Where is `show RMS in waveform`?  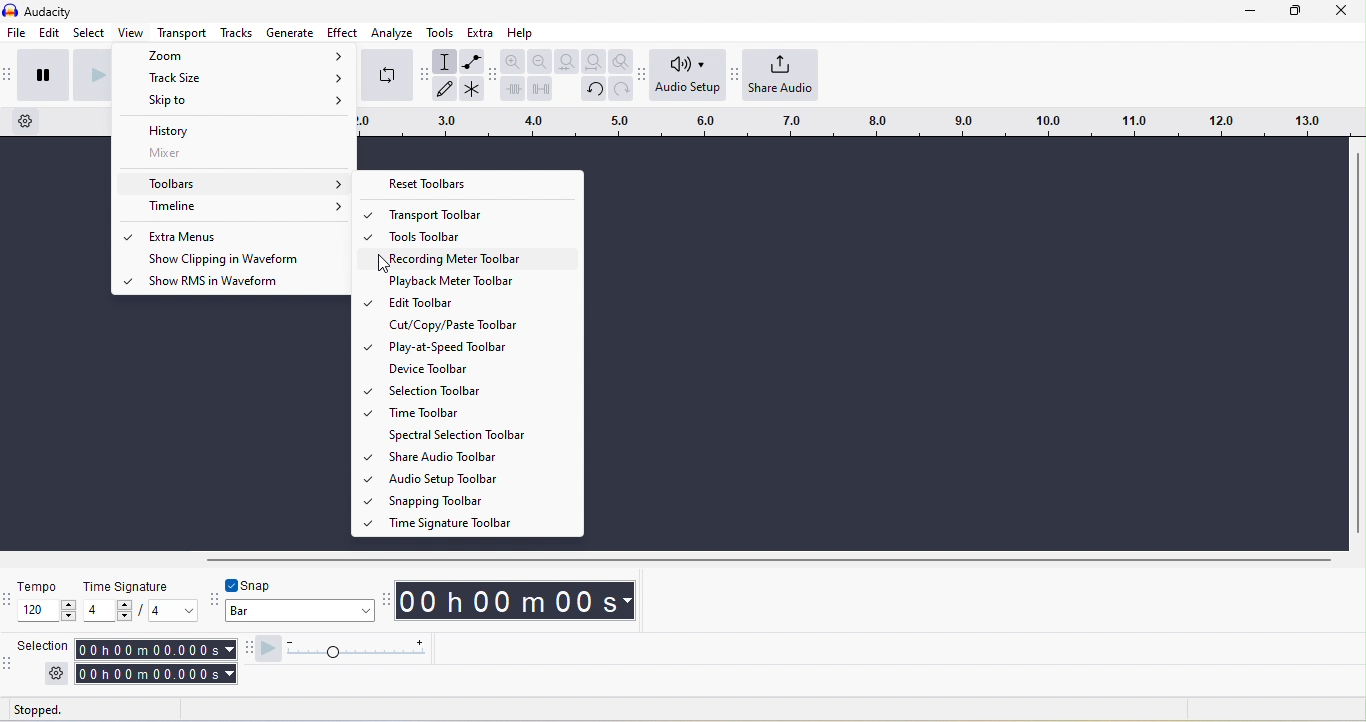
show RMS in waveform is located at coordinates (240, 283).